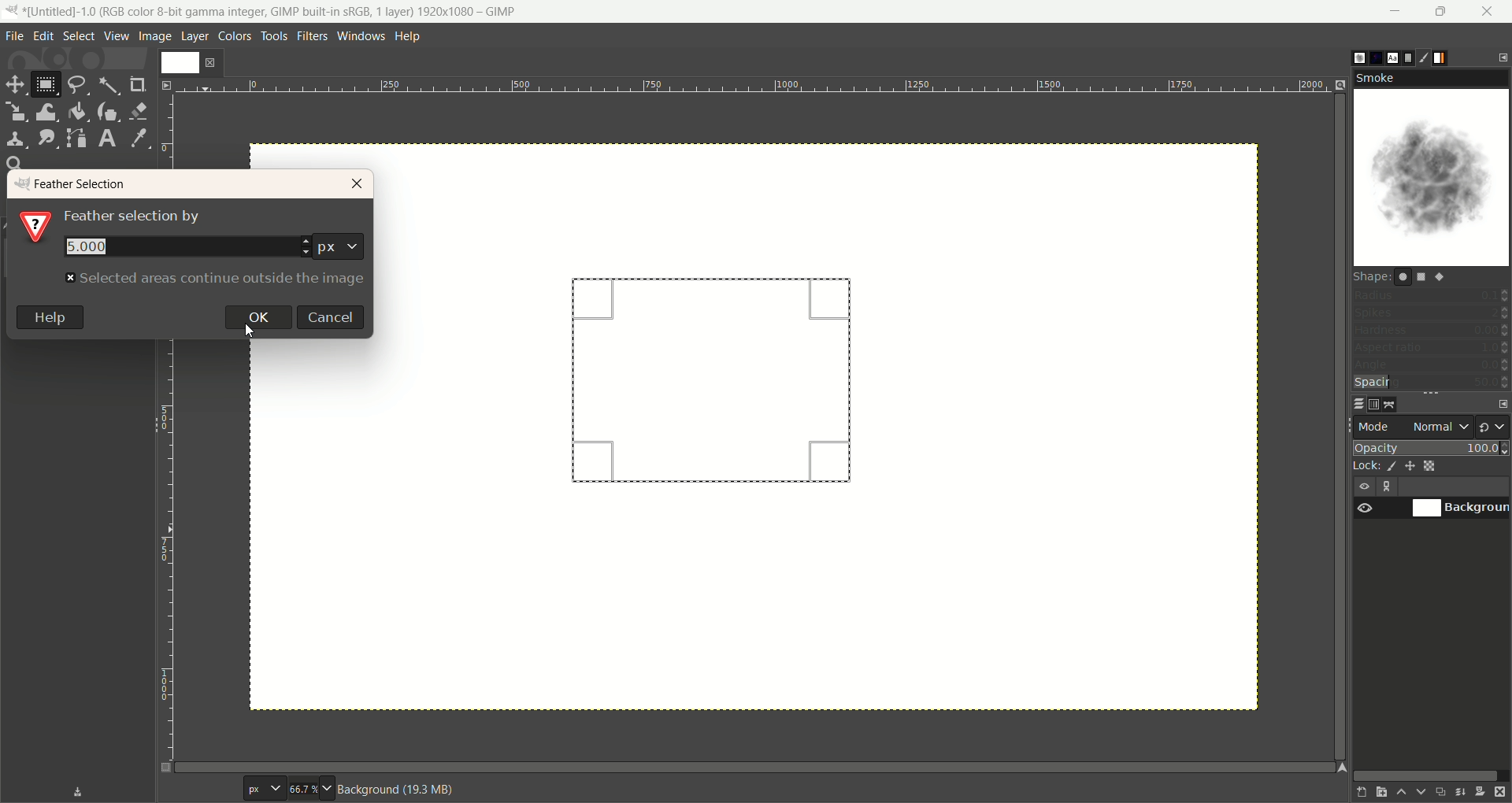  What do you see at coordinates (1425, 57) in the screenshot?
I see `brush editor` at bounding box center [1425, 57].